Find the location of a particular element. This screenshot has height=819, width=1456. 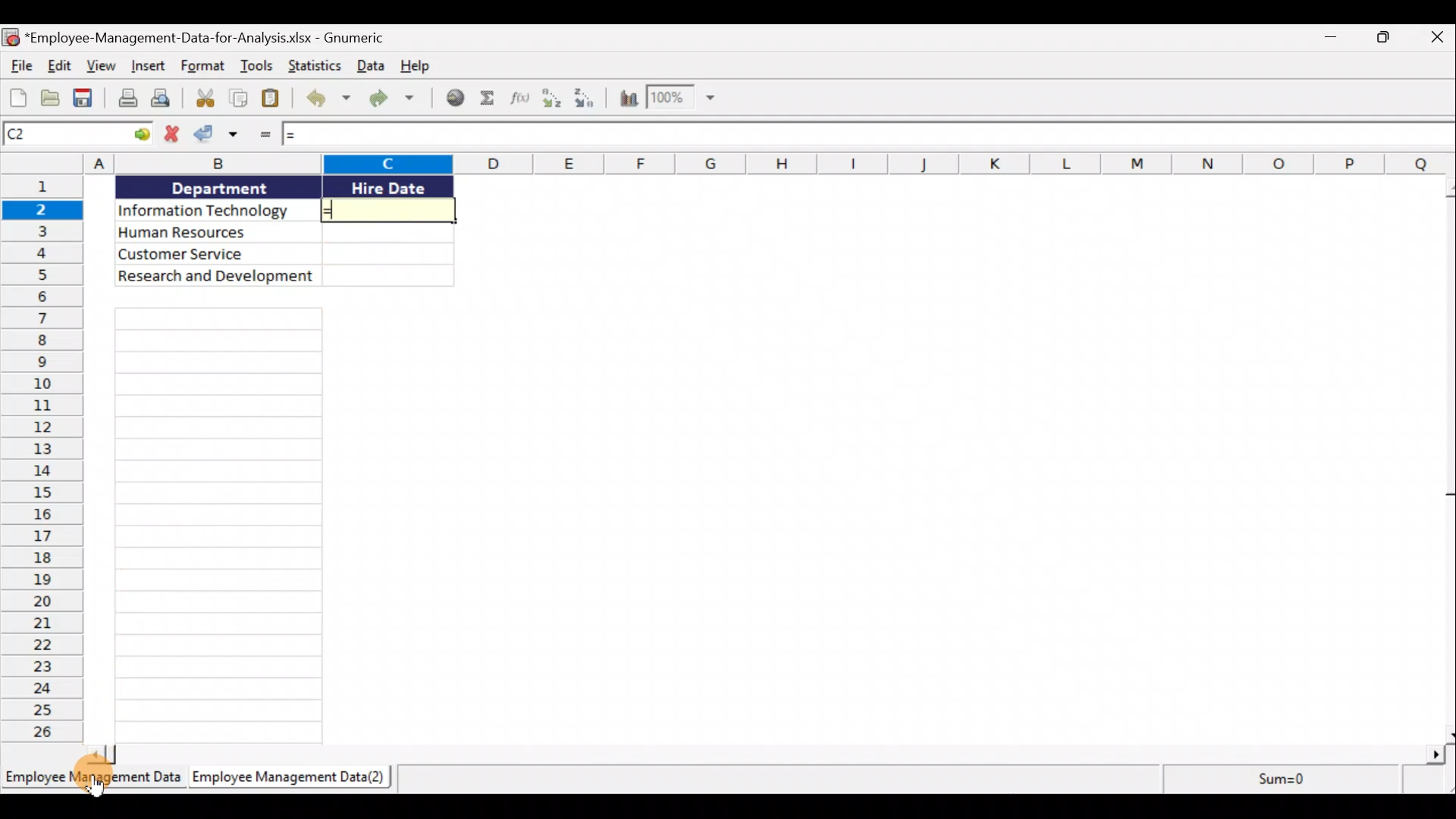

Rows is located at coordinates (42, 459).